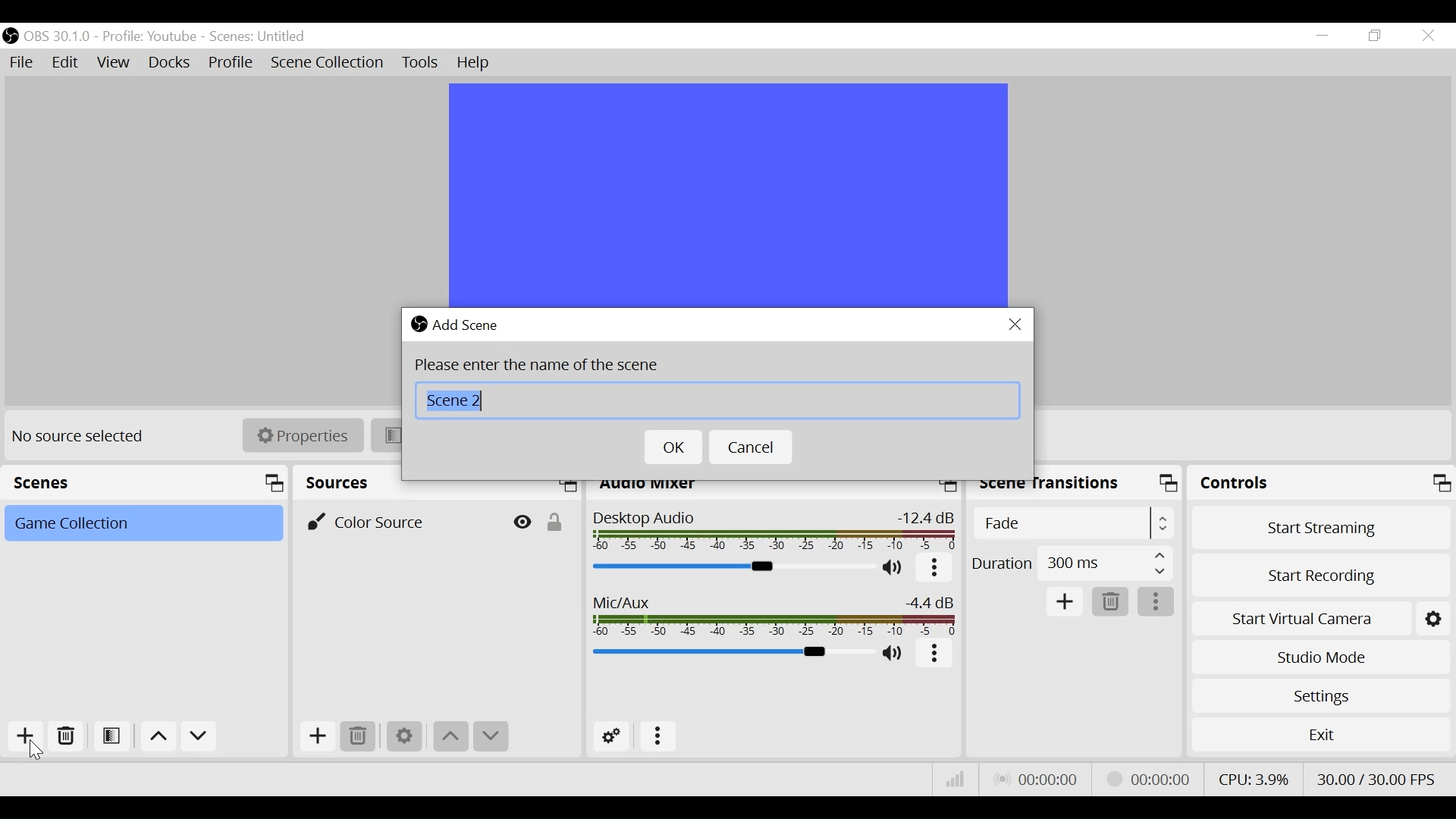 The image size is (1456, 819). Describe the element at coordinates (198, 736) in the screenshot. I see `Move down` at that location.